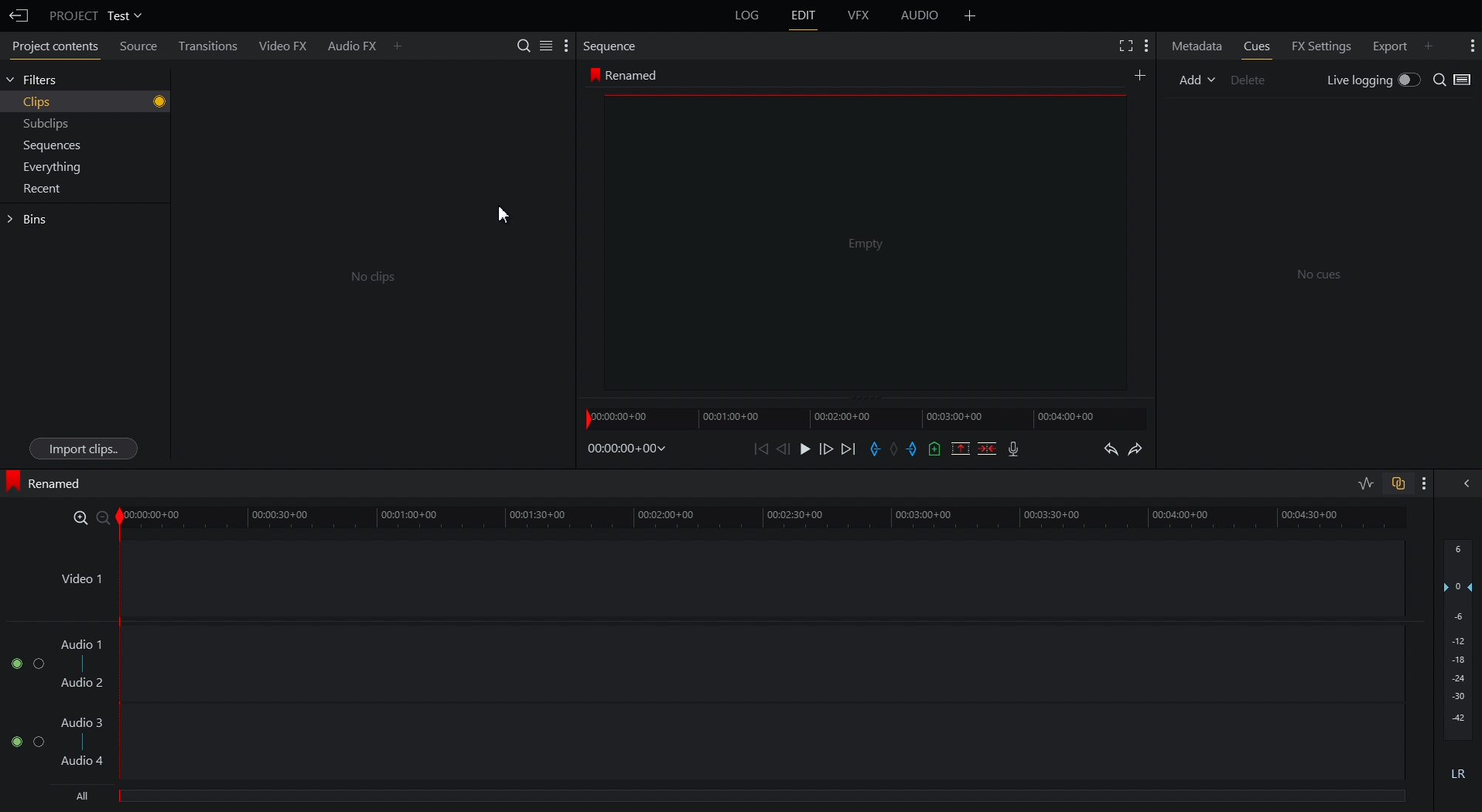 Image resolution: width=1482 pixels, height=812 pixels. I want to click on Toggle View, so click(1469, 79).